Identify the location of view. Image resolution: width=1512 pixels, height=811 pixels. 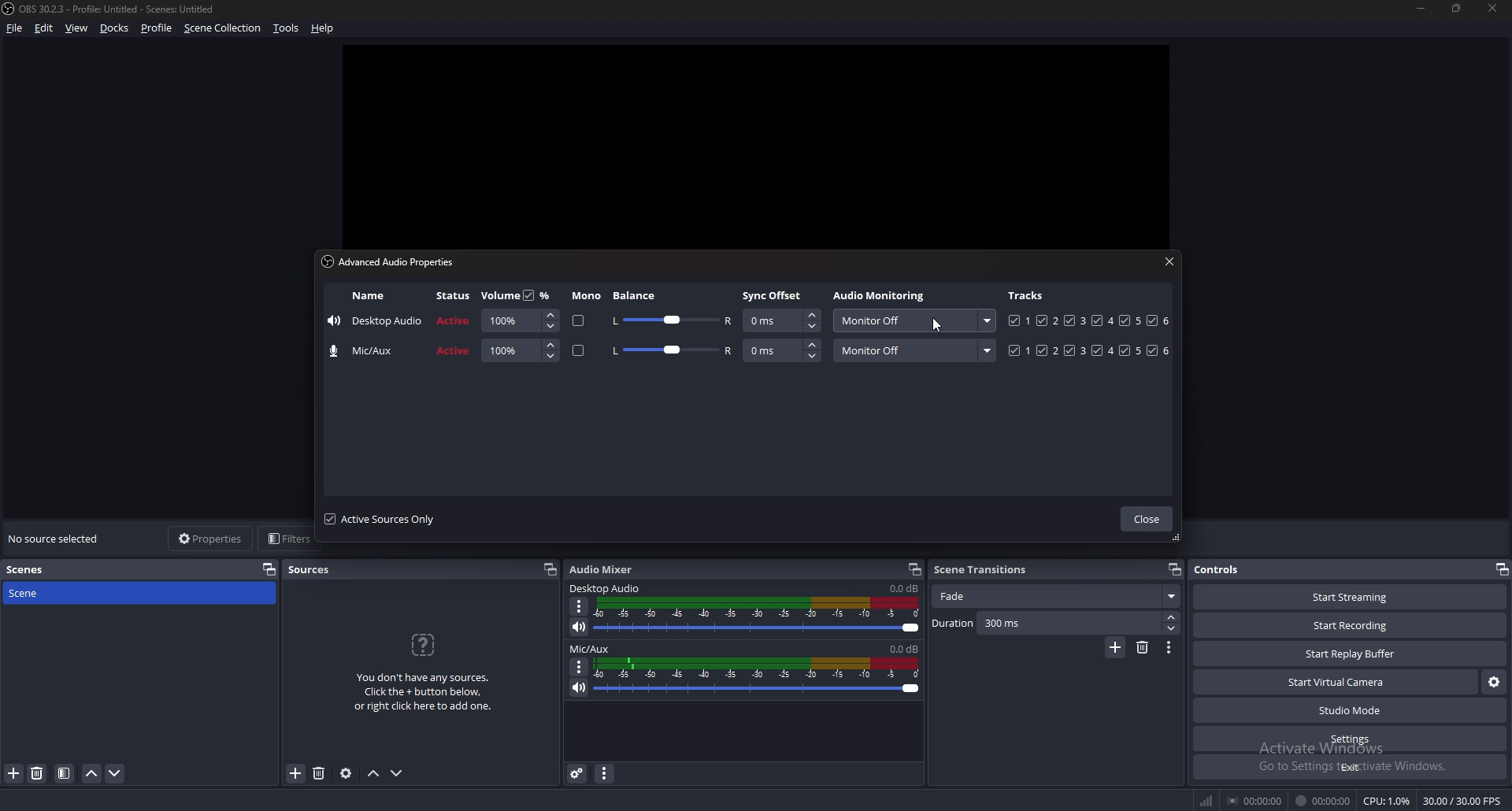
(78, 28).